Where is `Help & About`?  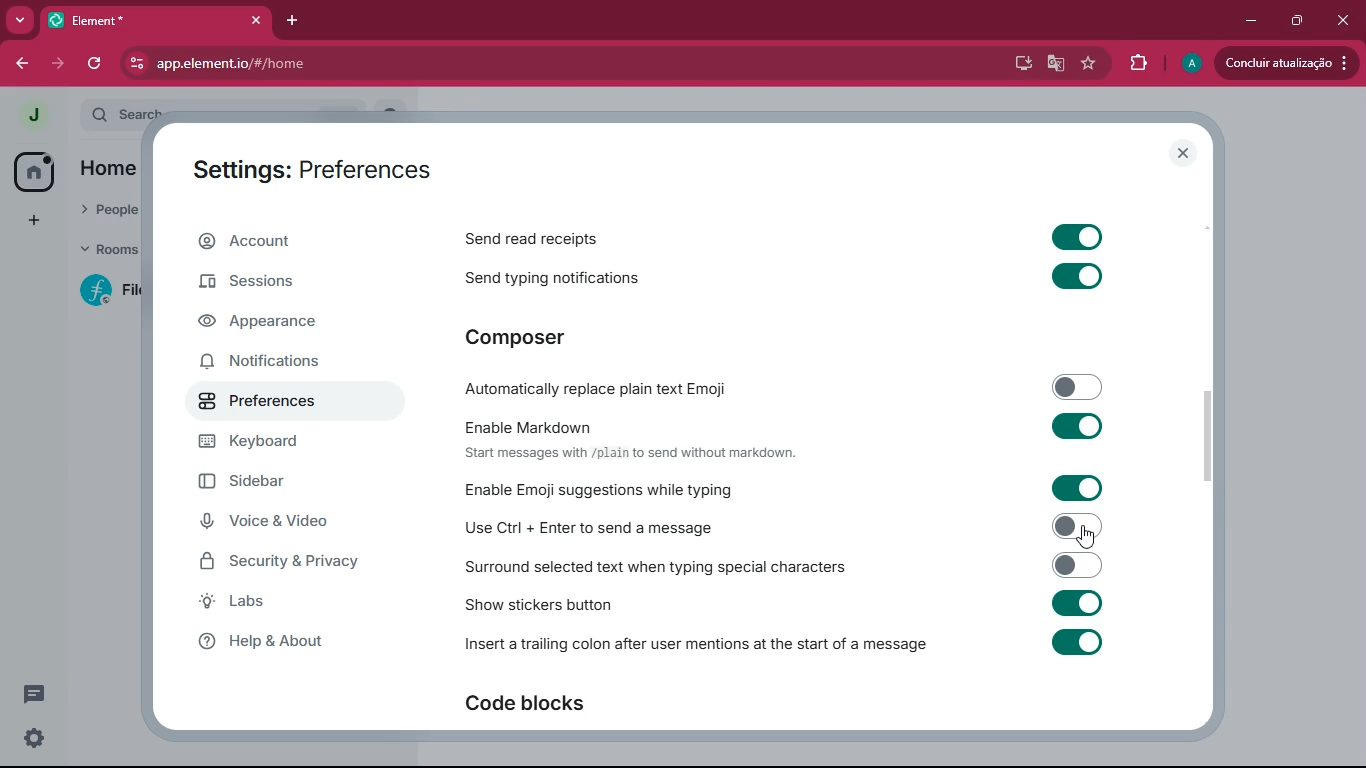
Help & About is located at coordinates (258, 641).